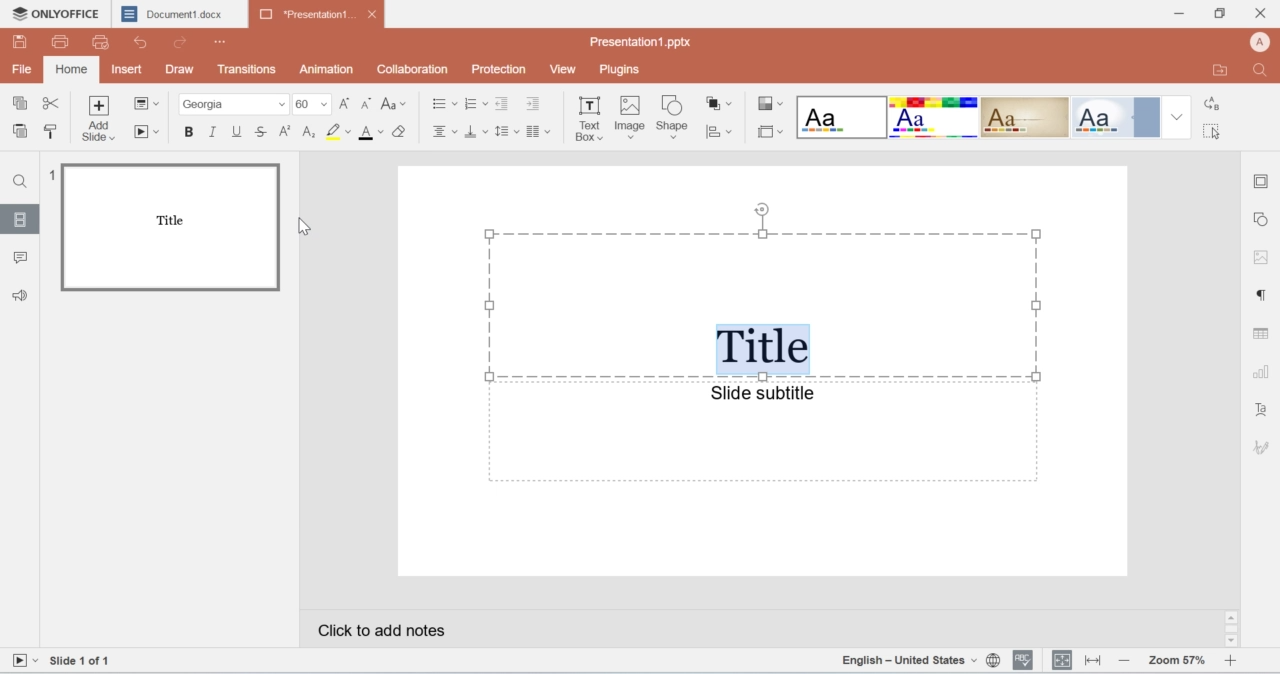 Image resolution: width=1280 pixels, height=674 pixels. Describe the element at coordinates (288, 131) in the screenshot. I see `raised to` at that location.